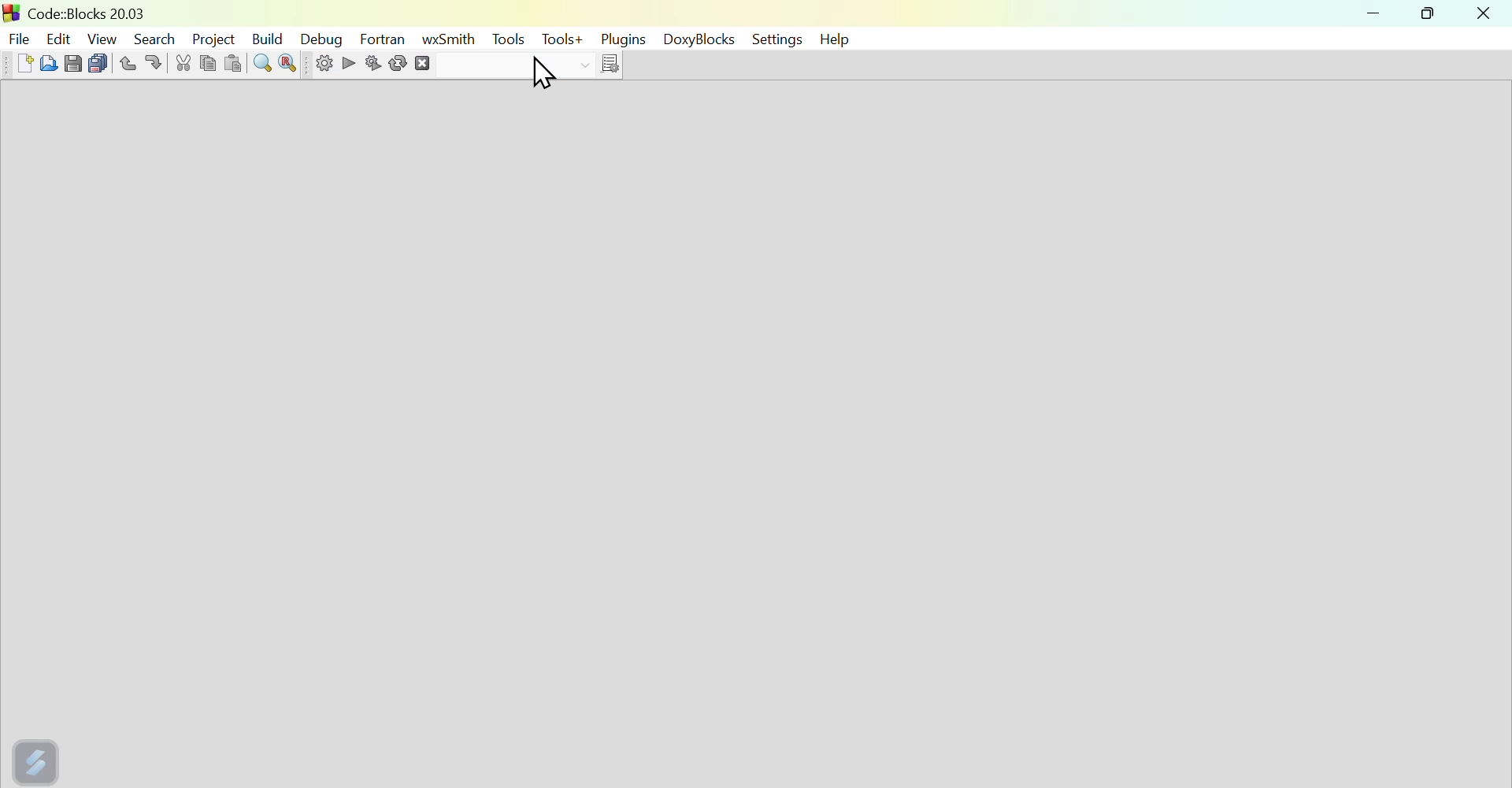  What do you see at coordinates (46, 62) in the screenshot?
I see `Open` at bounding box center [46, 62].